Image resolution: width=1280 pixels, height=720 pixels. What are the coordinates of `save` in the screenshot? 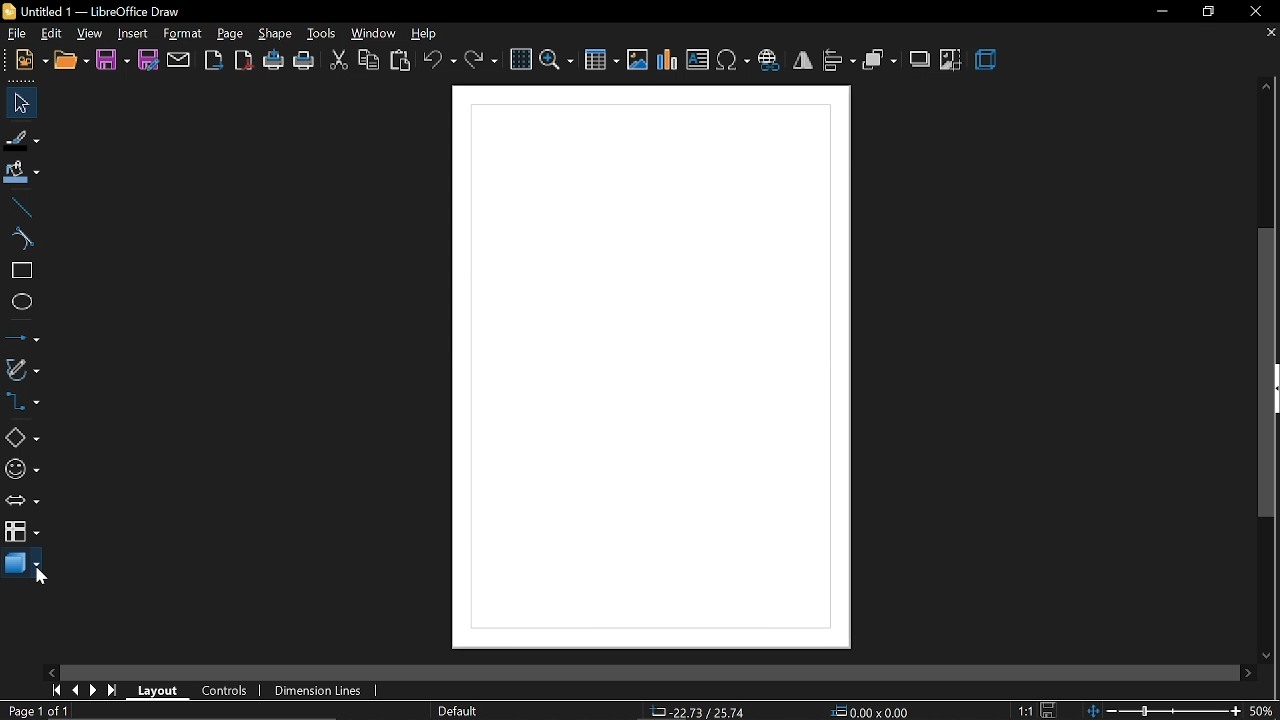 It's located at (1050, 710).